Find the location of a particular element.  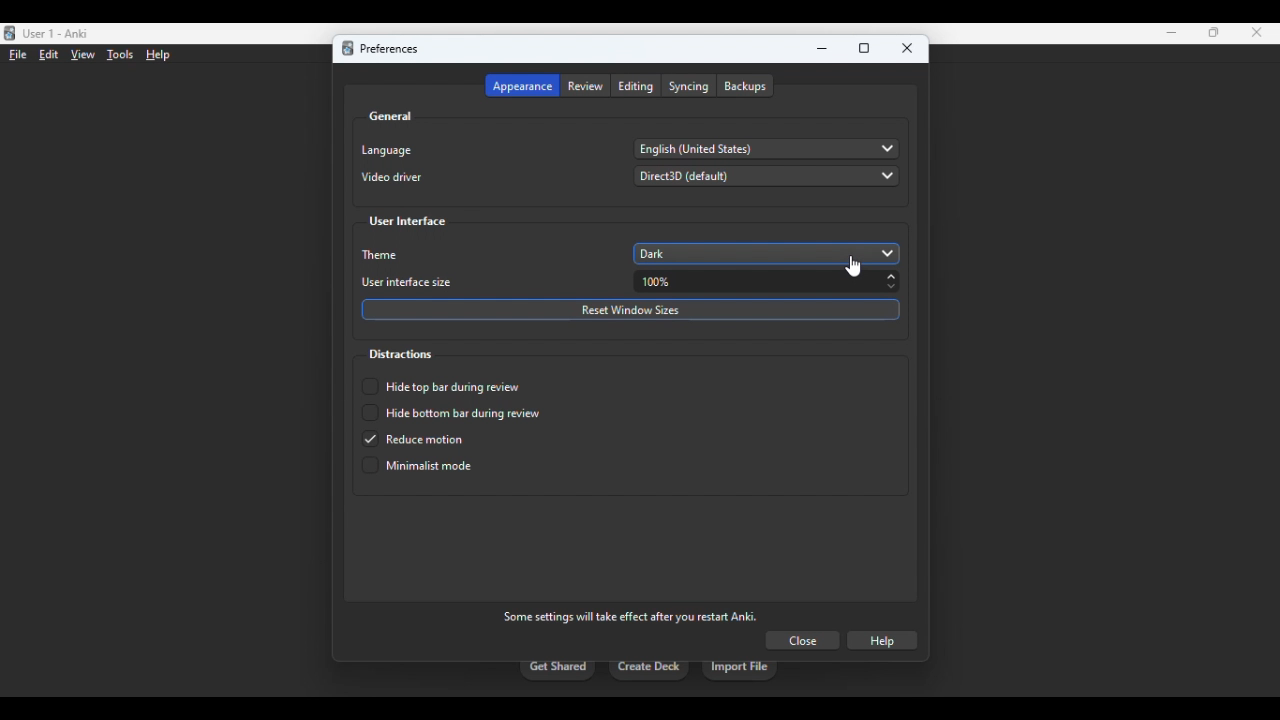

distractions is located at coordinates (399, 354).